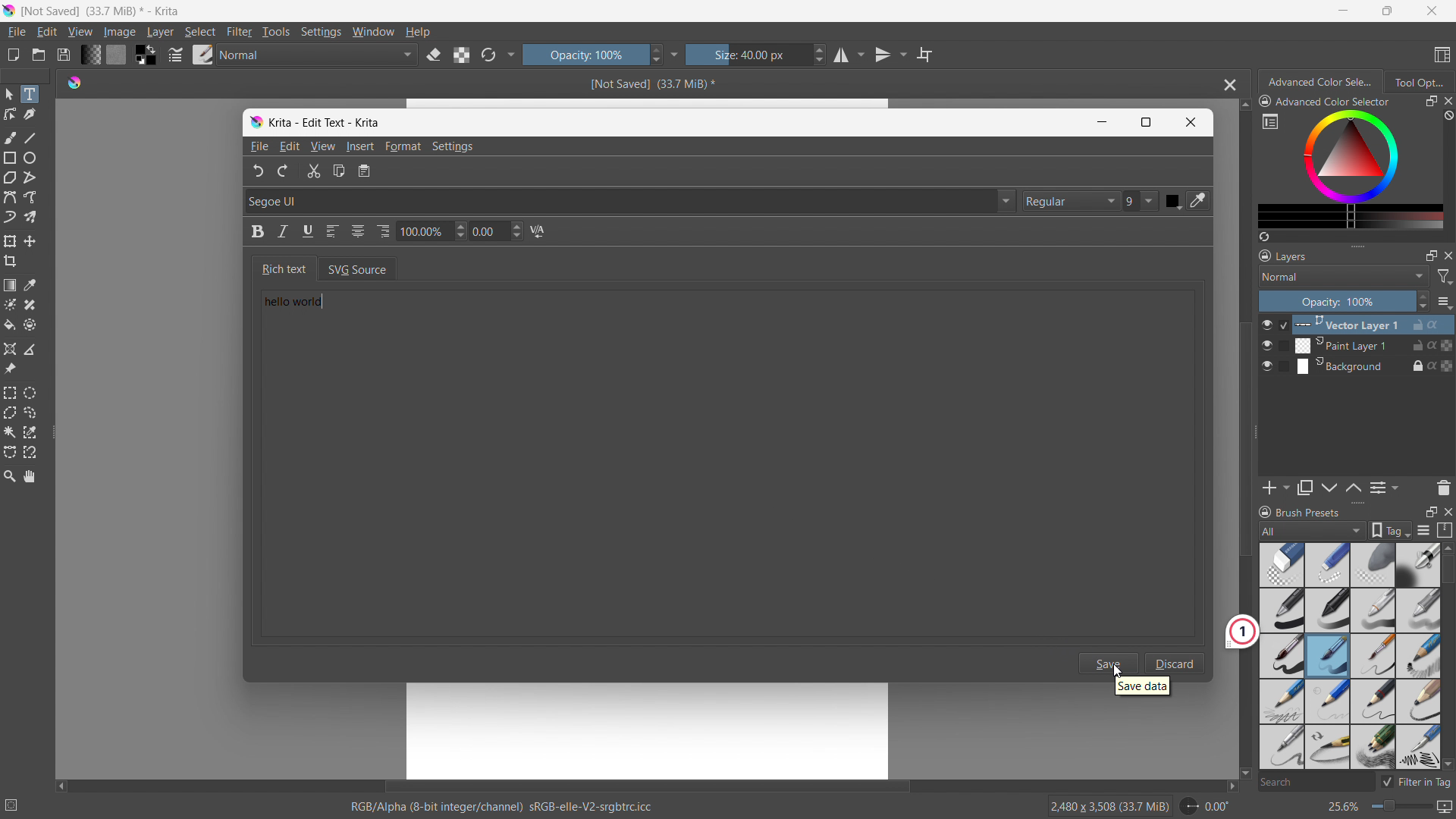 This screenshot has height=819, width=1456. What do you see at coordinates (418, 31) in the screenshot?
I see `help` at bounding box center [418, 31].